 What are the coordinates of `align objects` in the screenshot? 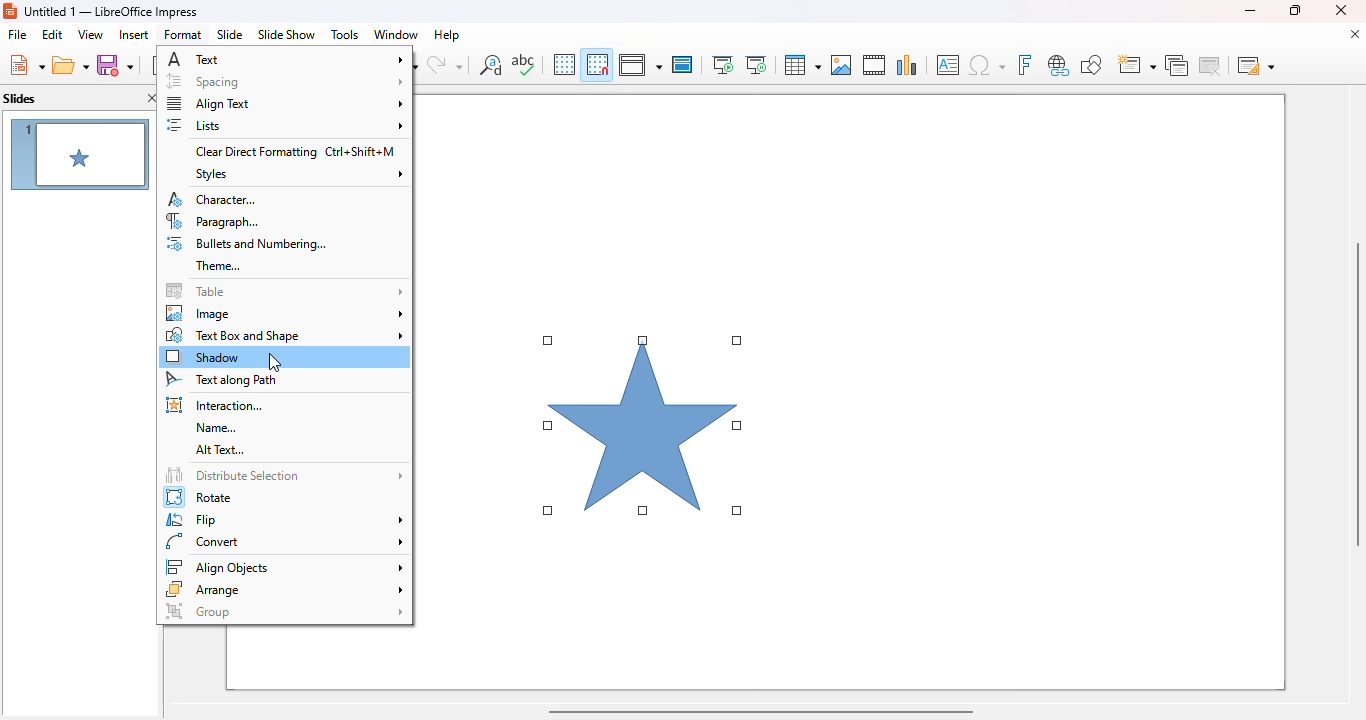 It's located at (283, 567).